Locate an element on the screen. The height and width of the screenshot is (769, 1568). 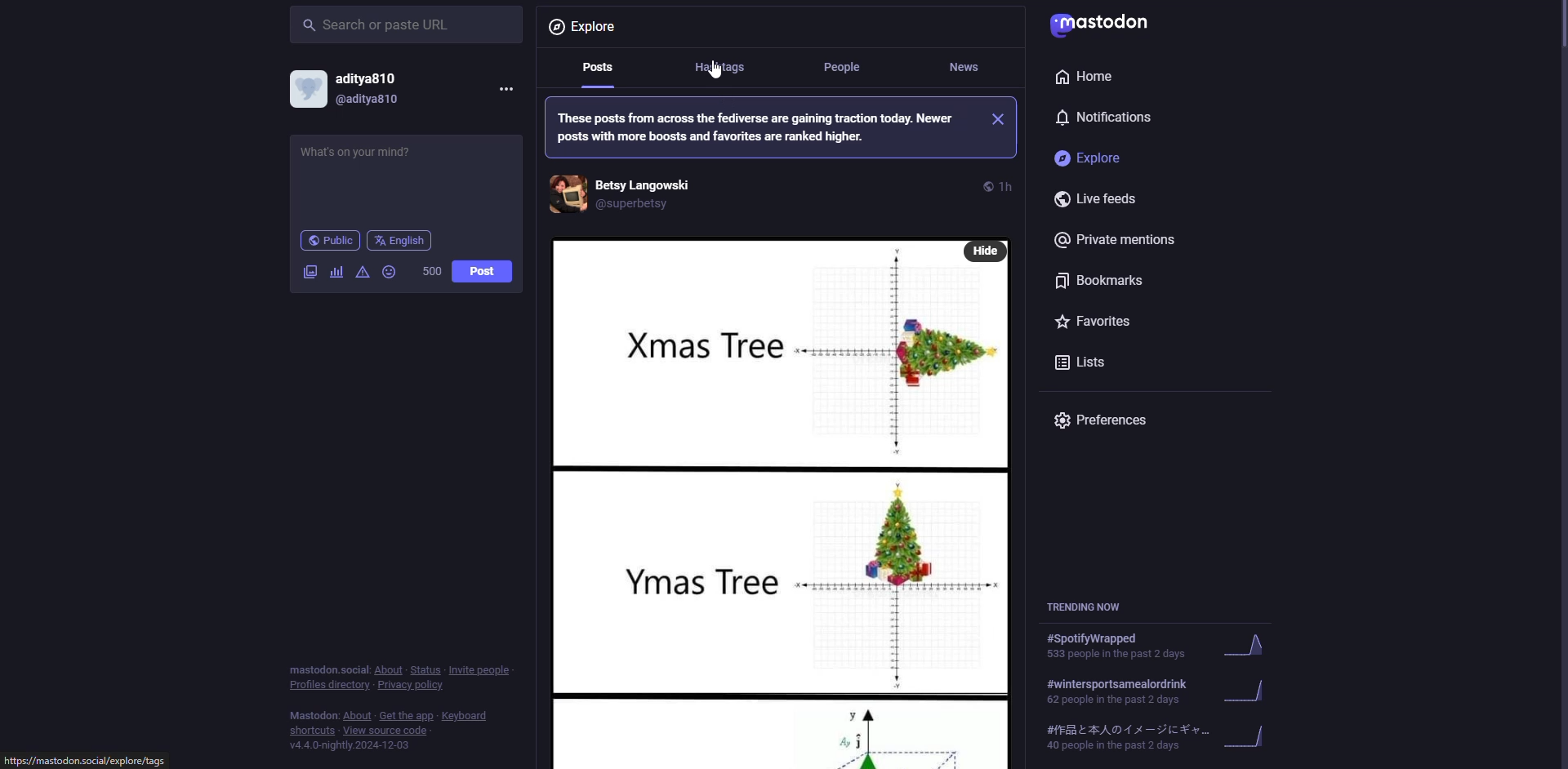
image is located at coordinates (311, 273).